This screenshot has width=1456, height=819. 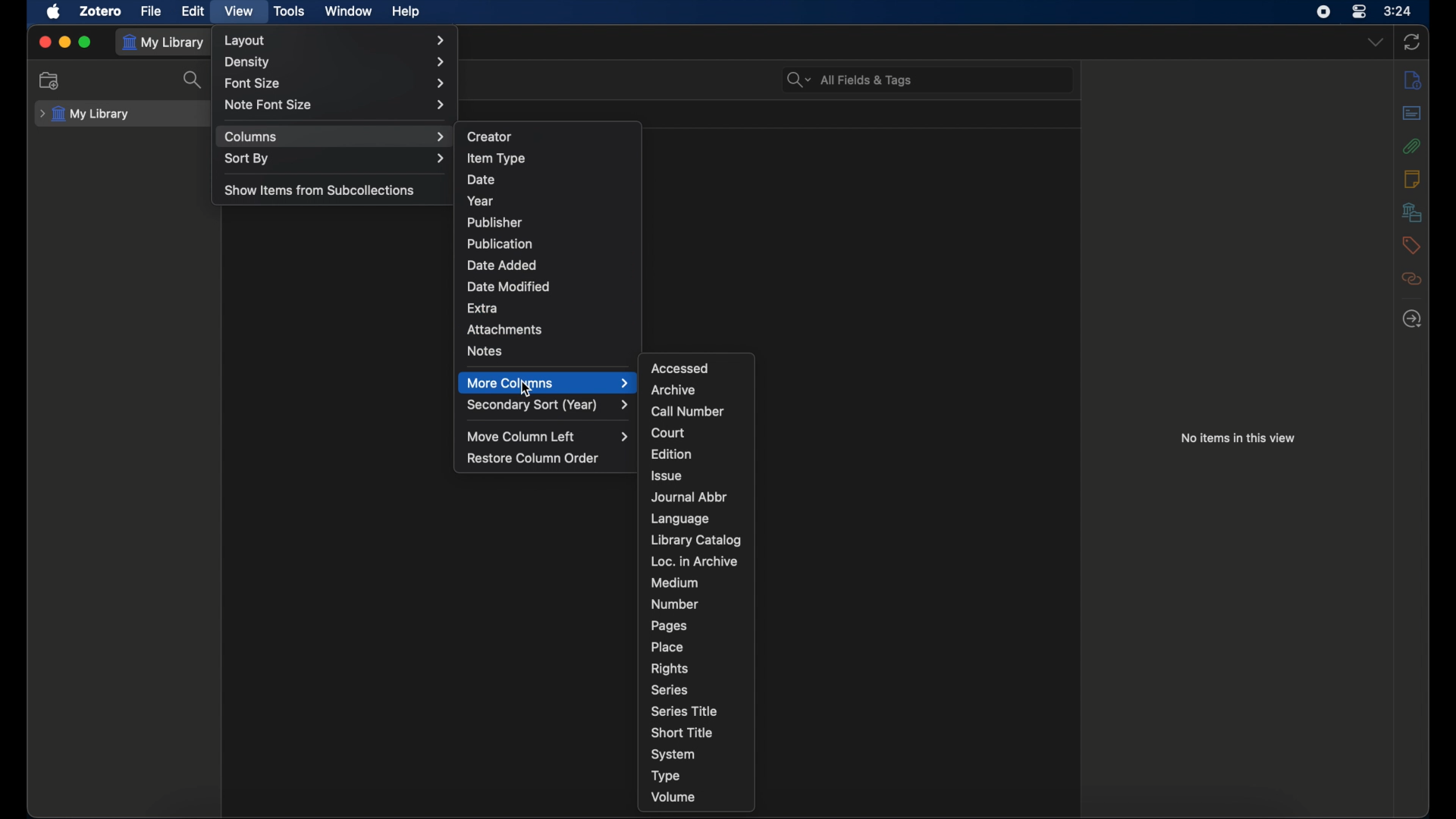 What do you see at coordinates (167, 43) in the screenshot?
I see `my library` at bounding box center [167, 43].